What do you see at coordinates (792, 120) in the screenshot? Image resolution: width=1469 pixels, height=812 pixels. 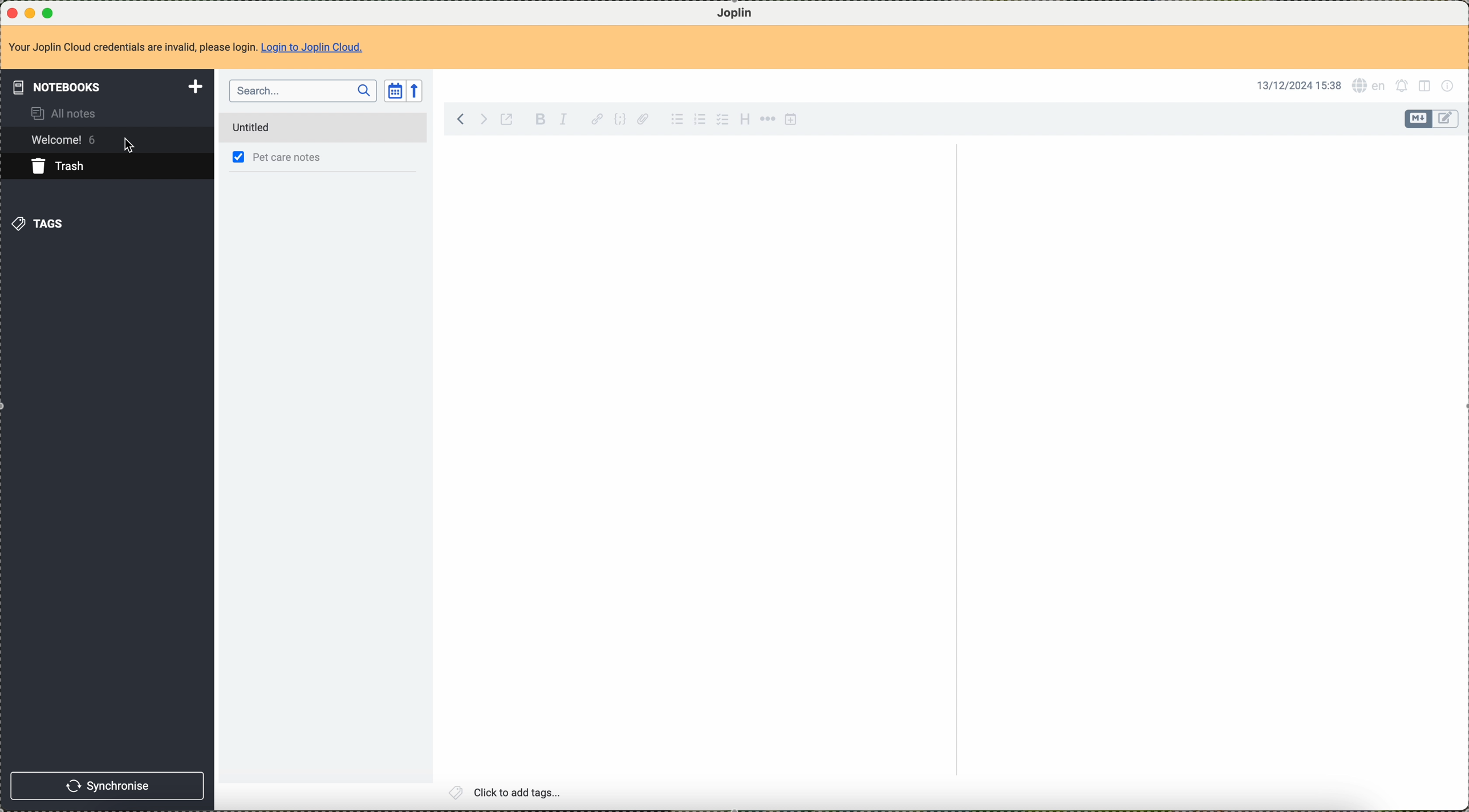 I see `insert time` at bounding box center [792, 120].